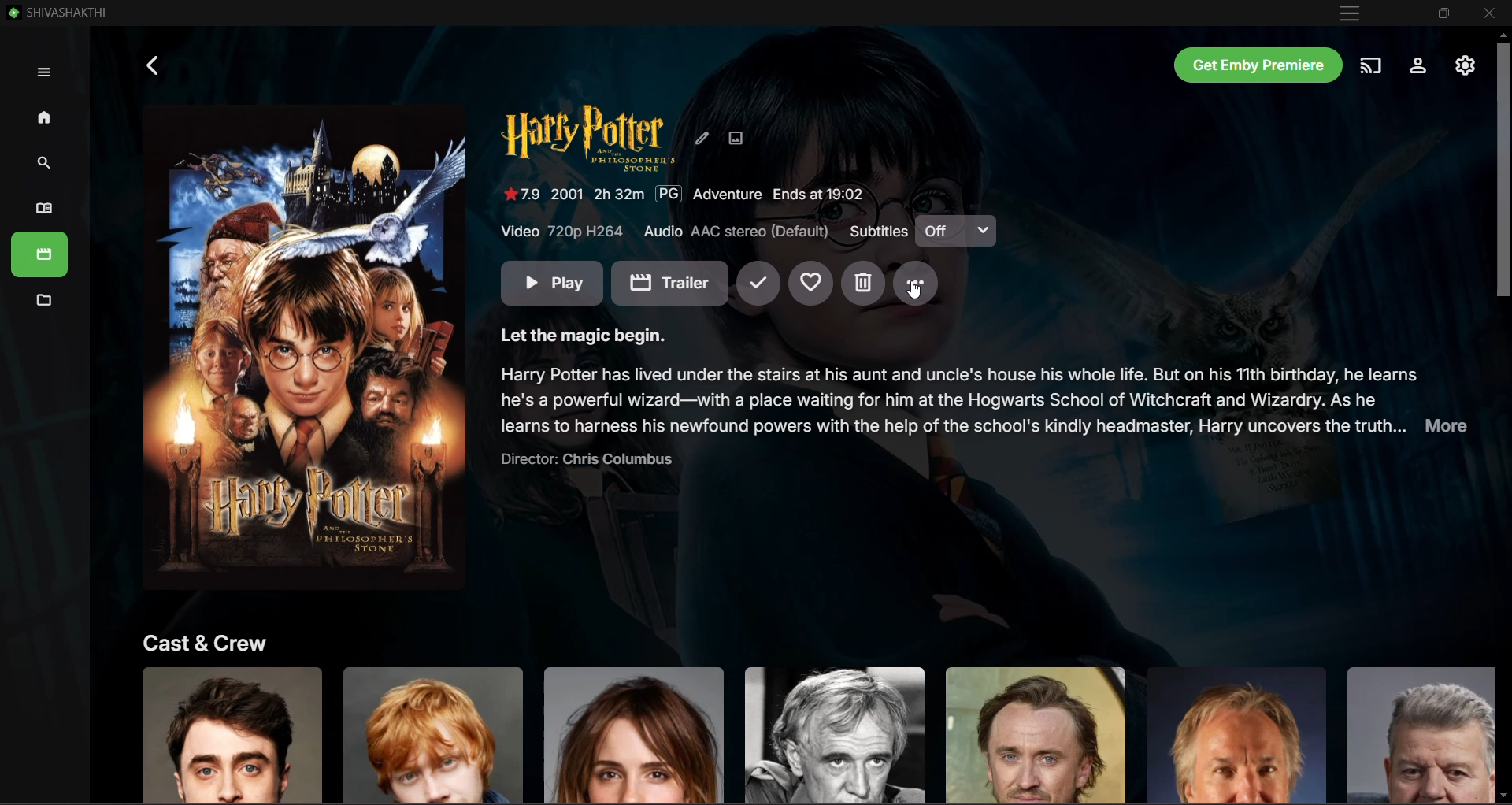 This screenshot has height=805, width=1512. I want to click on Video Quality, so click(564, 231).